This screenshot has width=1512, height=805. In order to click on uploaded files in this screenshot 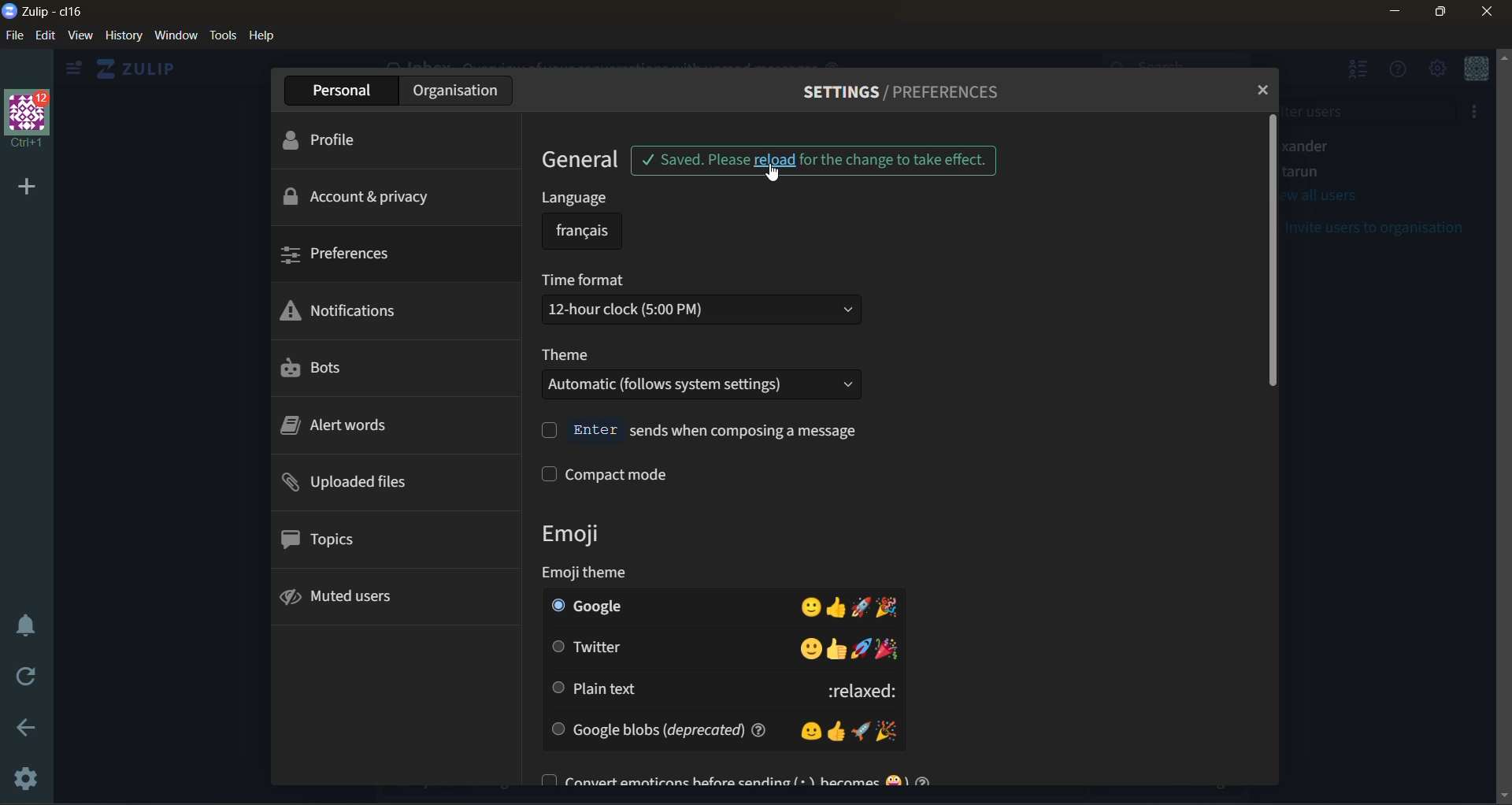, I will do `click(372, 484)`.